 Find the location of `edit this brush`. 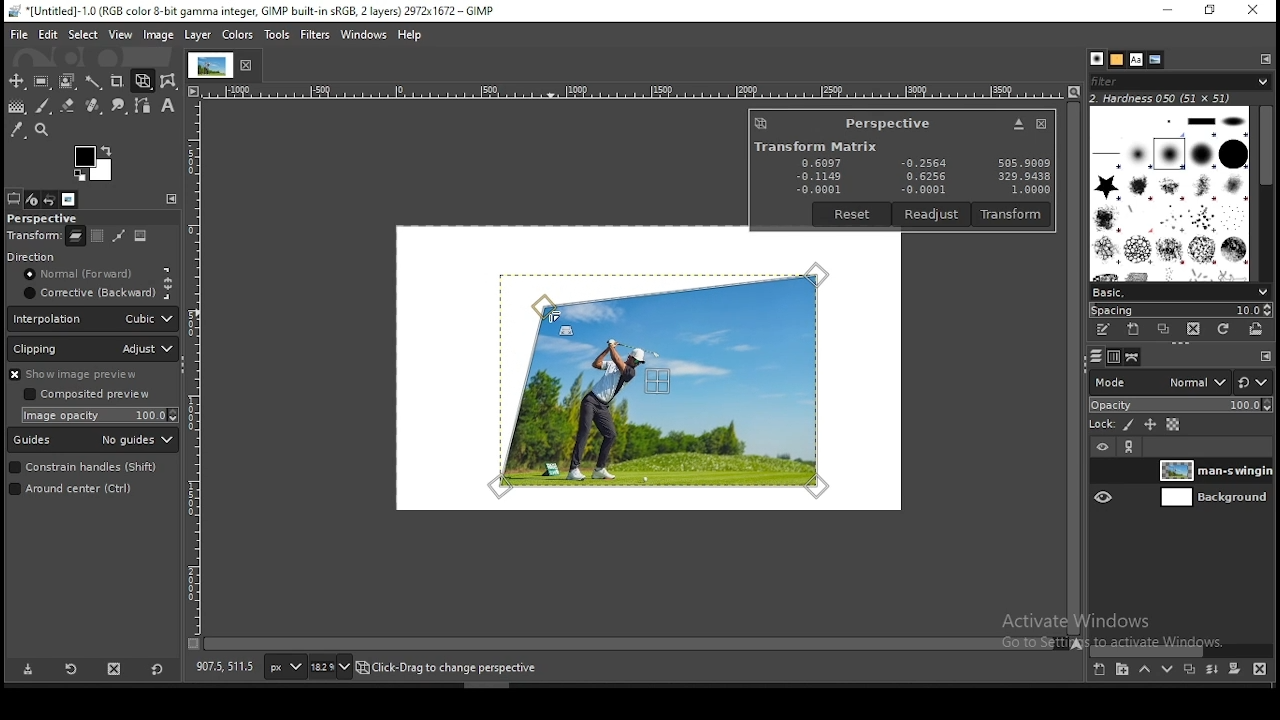

edit this brush is located at coordinates (1105, 333).